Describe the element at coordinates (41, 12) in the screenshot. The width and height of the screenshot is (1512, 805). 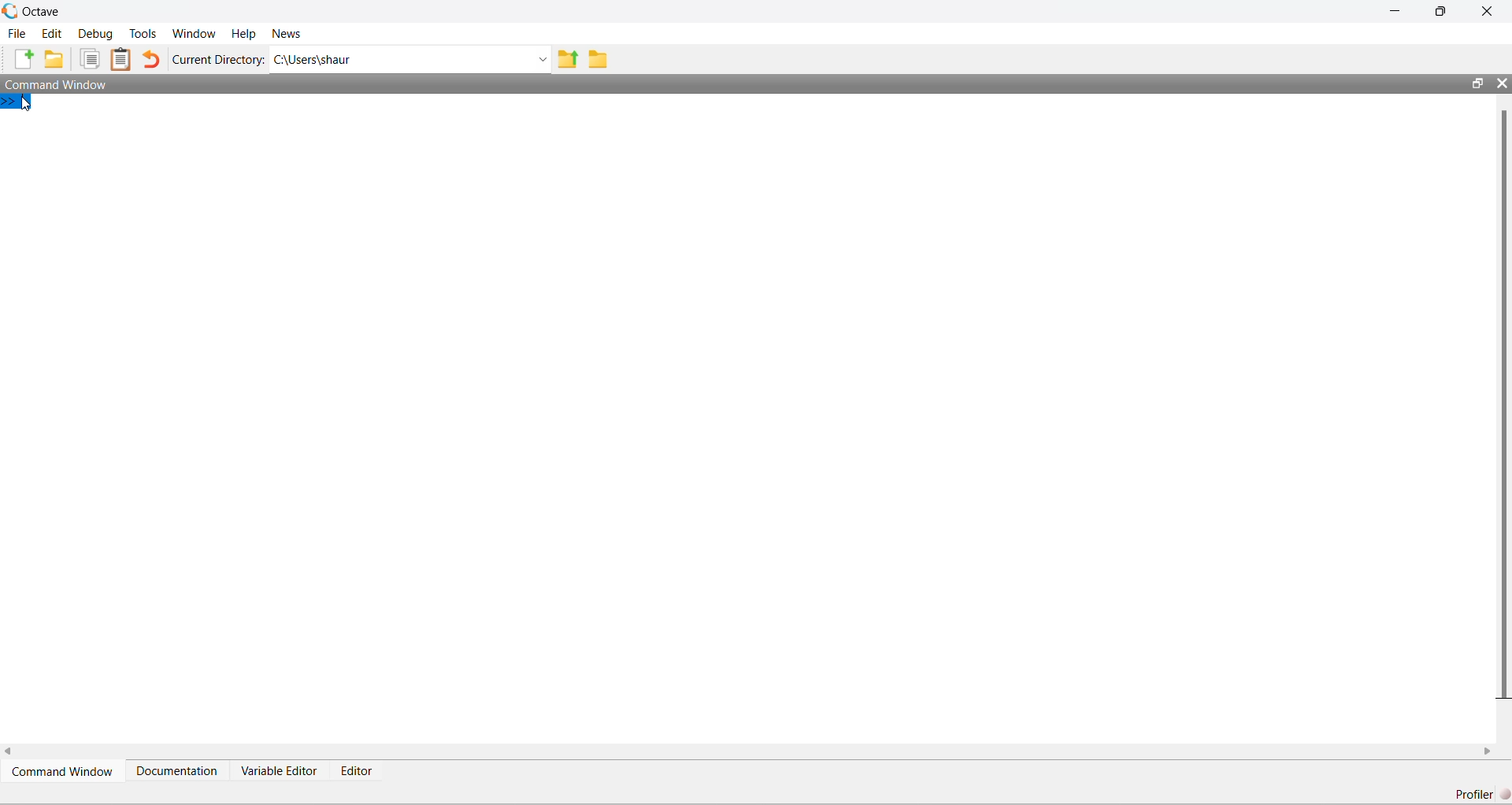
I see `Octave` at that location.